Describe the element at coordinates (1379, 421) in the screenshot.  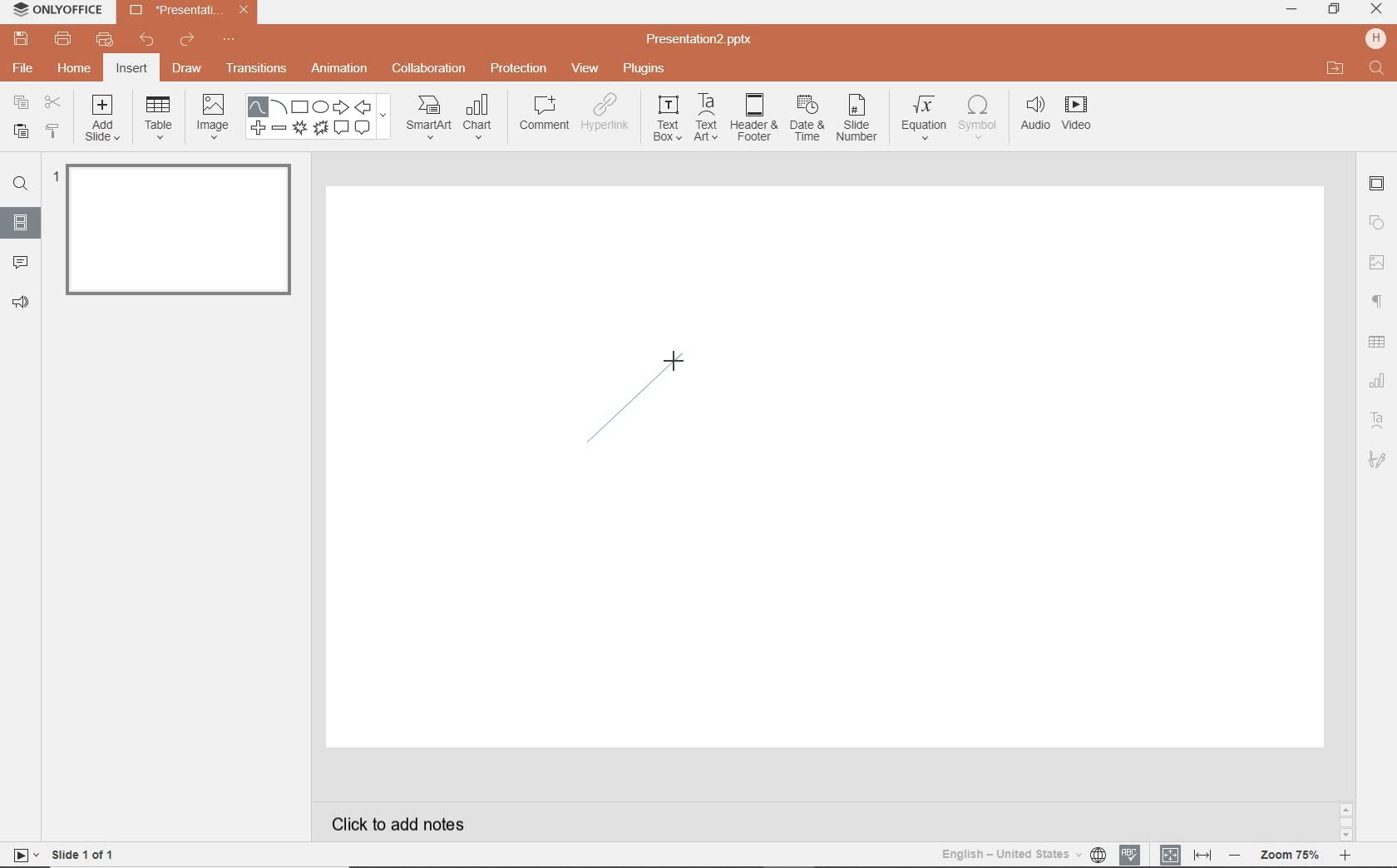
I see `TEXT ART SETTINGS` at that location.